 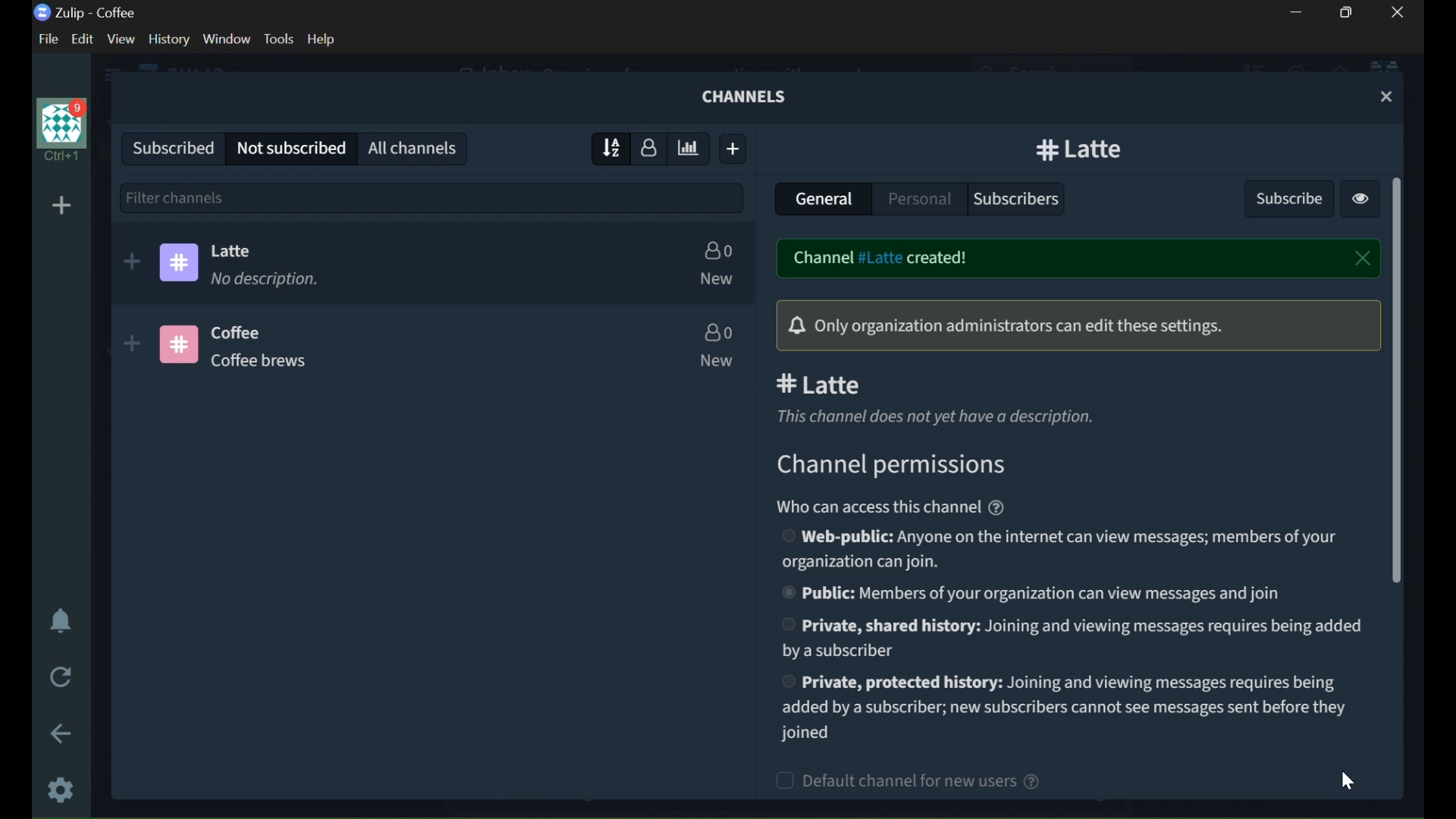 What do you see at coordinates (1036, 595) in the screenshot?
I see `PUBLIC: Members of your organisation can view messages and join` at bounding box center [1036, 595].